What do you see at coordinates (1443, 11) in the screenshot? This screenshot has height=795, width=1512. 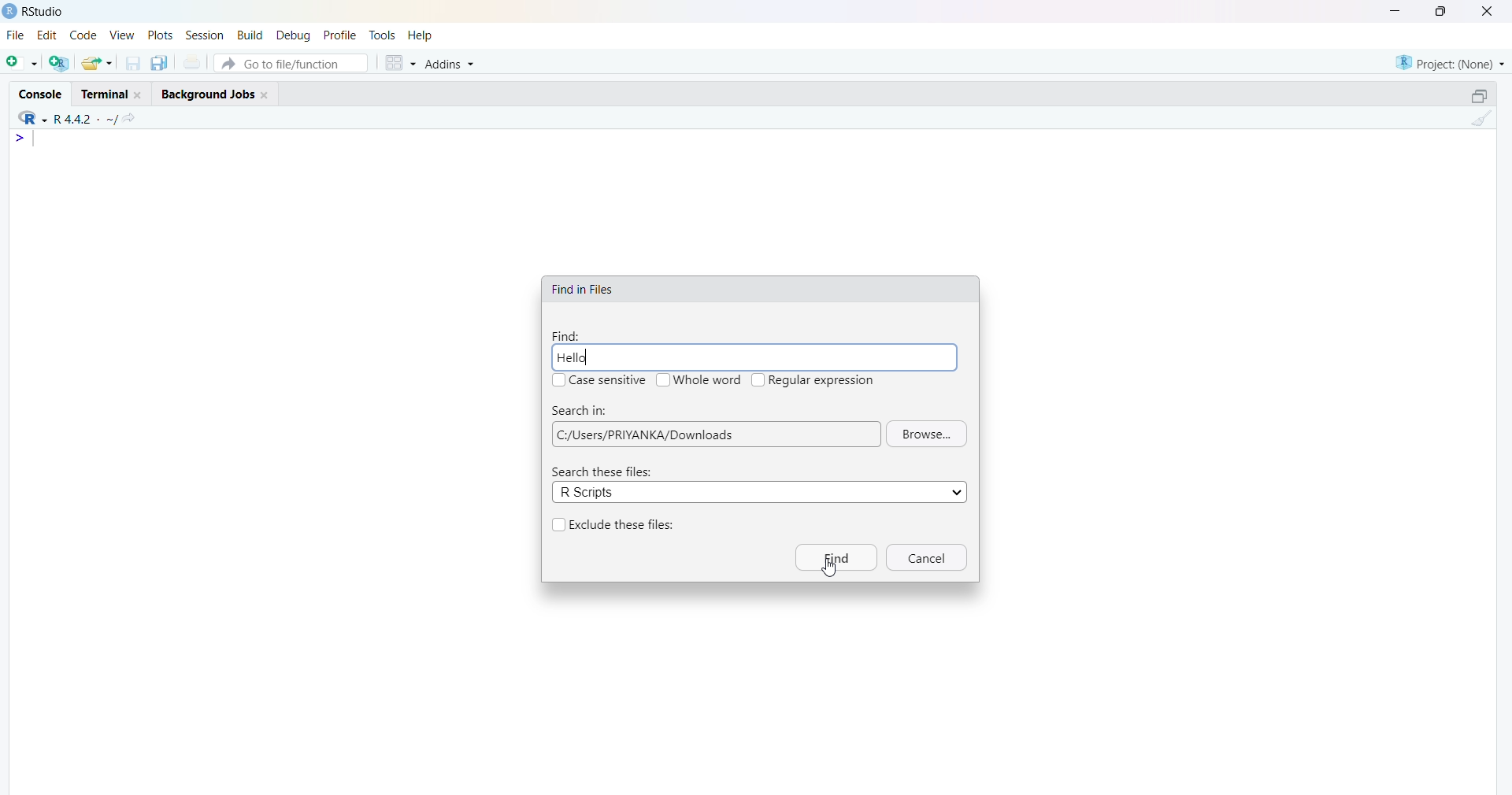 I see `maximise` at bounding box center [1443, 11].